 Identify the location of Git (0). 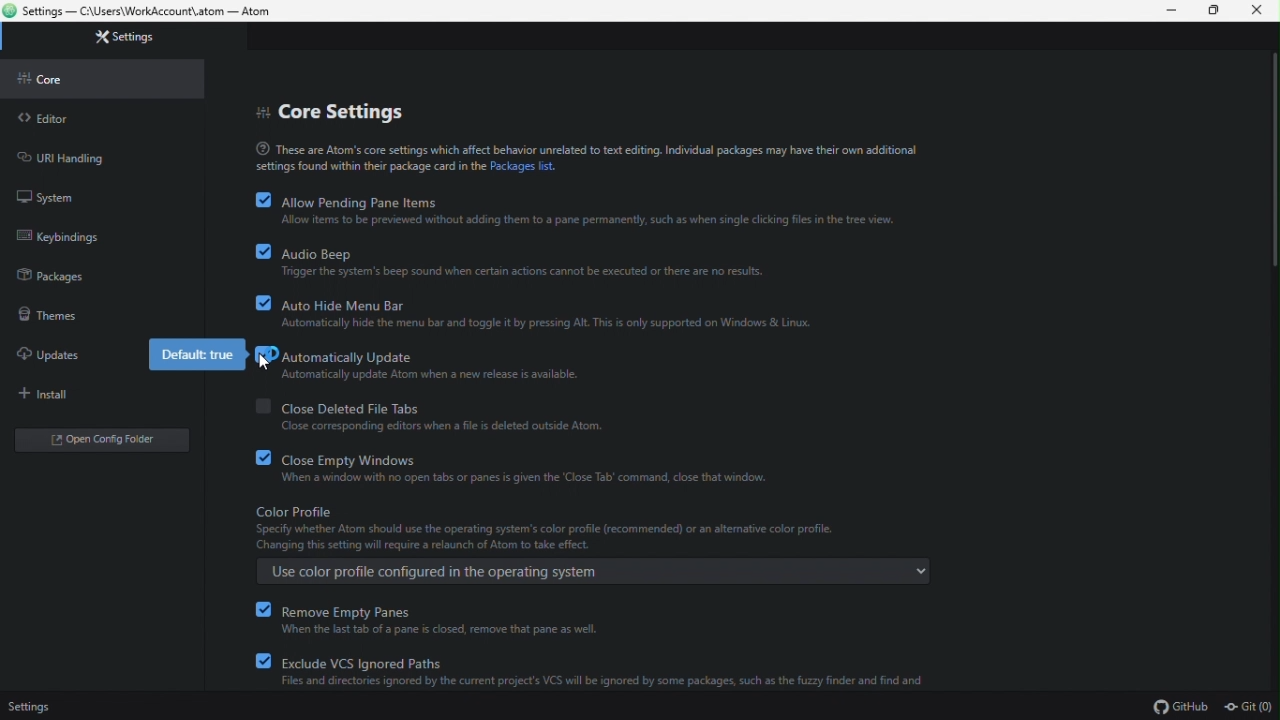
(1248, 704).